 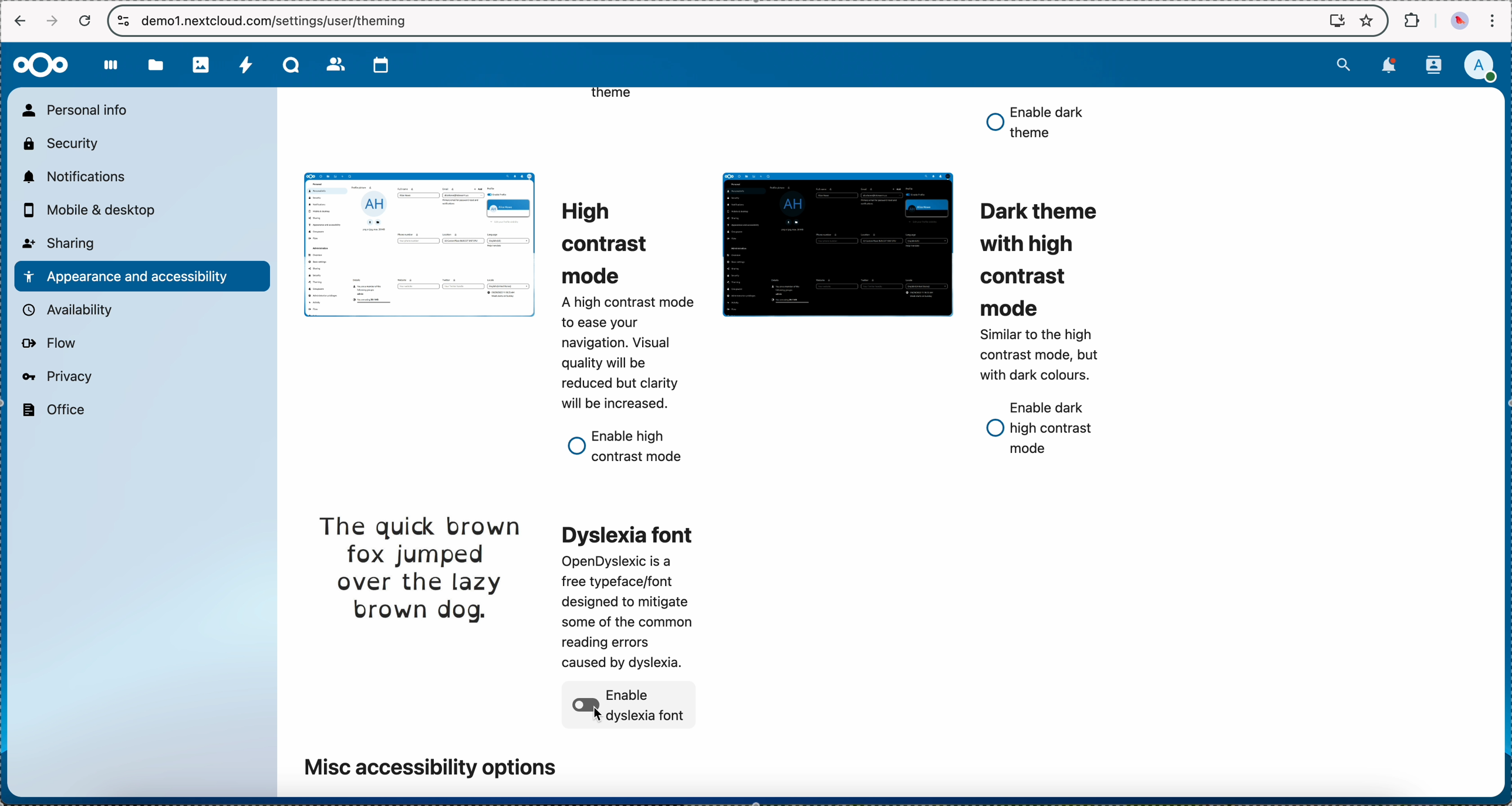 What do you see at coordinates (289, 66) in the screenshot?
I see `Talk` at bounding box center [289, 66].